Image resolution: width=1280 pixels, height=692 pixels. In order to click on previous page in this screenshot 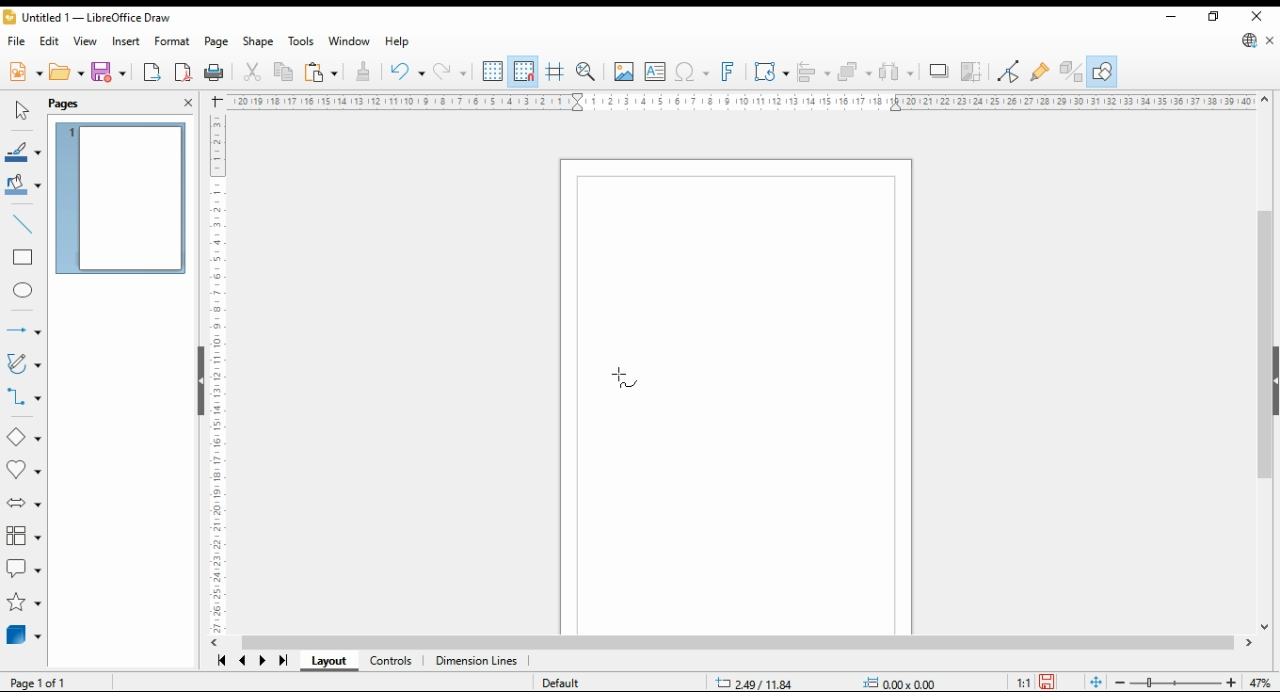, I will do `click(242, 661)`.